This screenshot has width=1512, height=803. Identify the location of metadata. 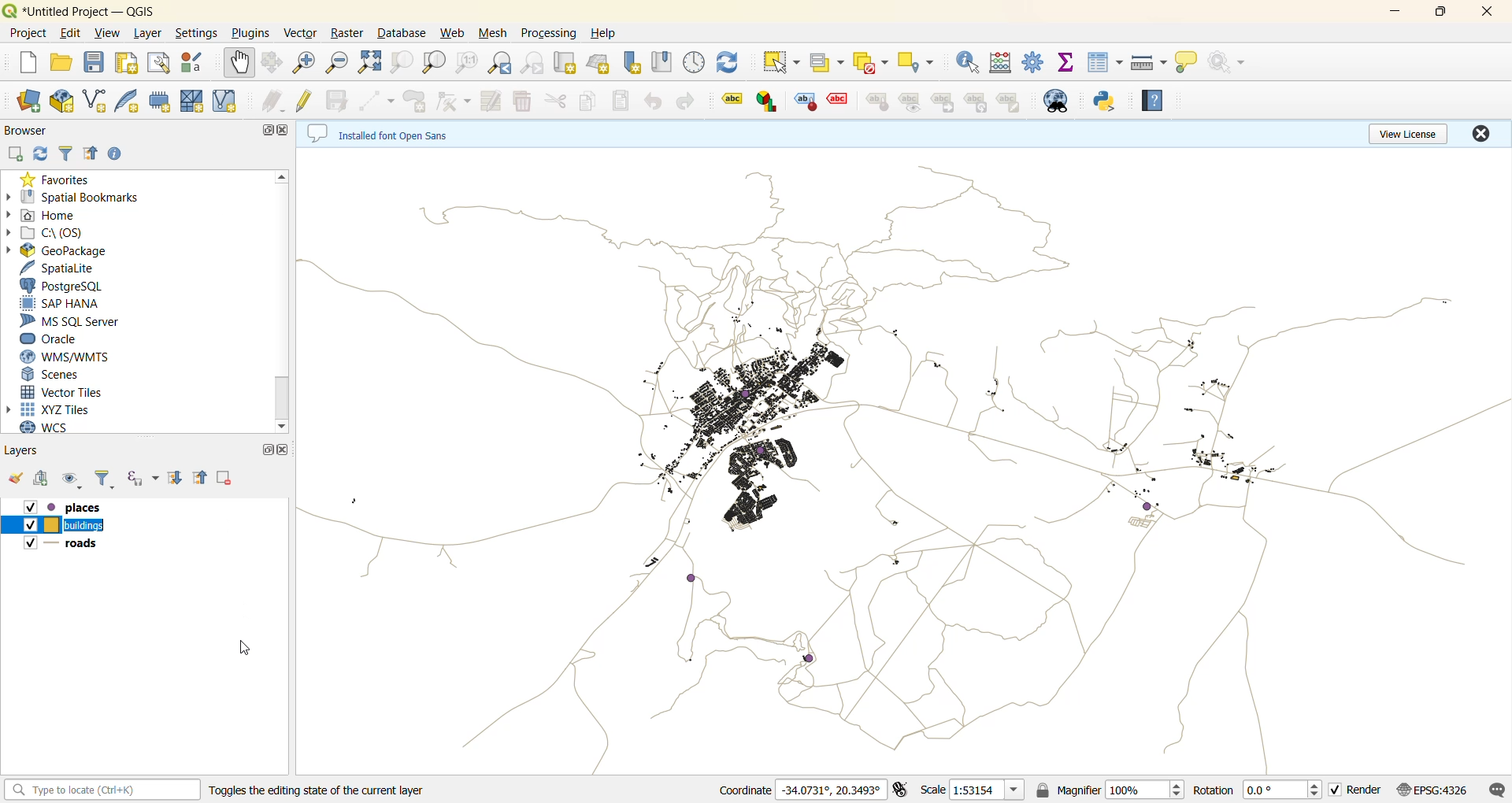
(388, 132).